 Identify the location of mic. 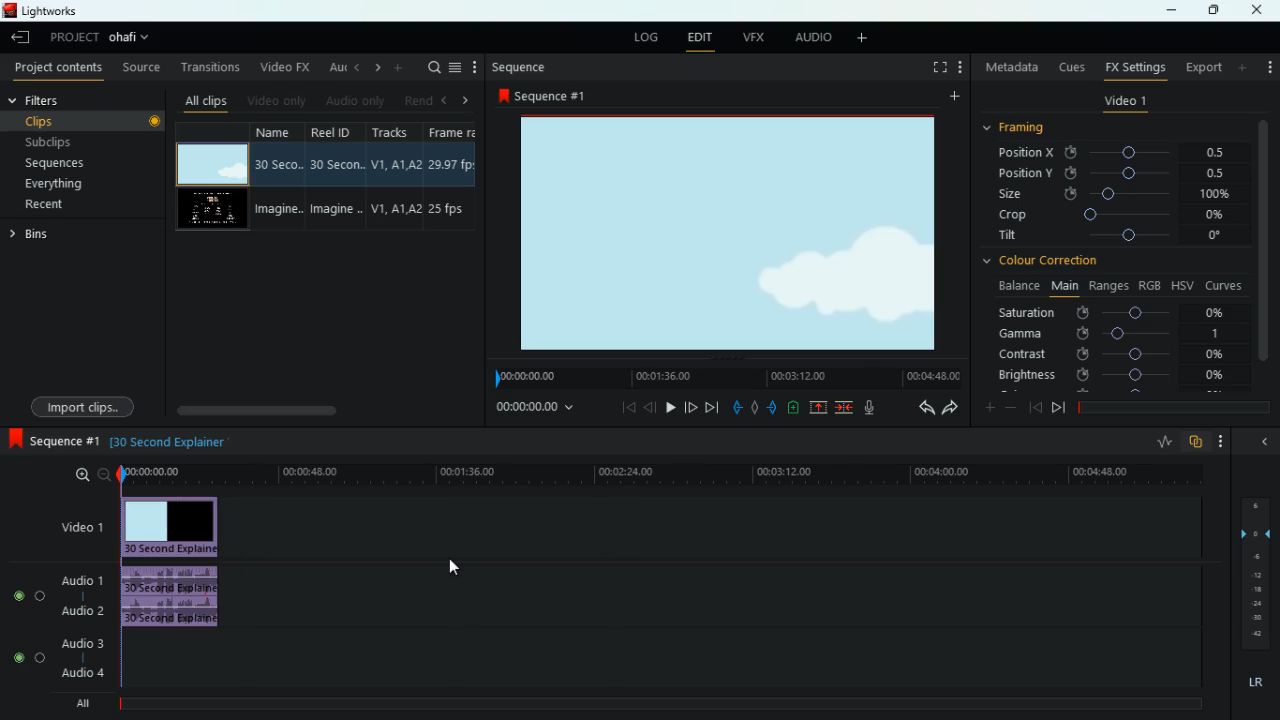
(869, 407).